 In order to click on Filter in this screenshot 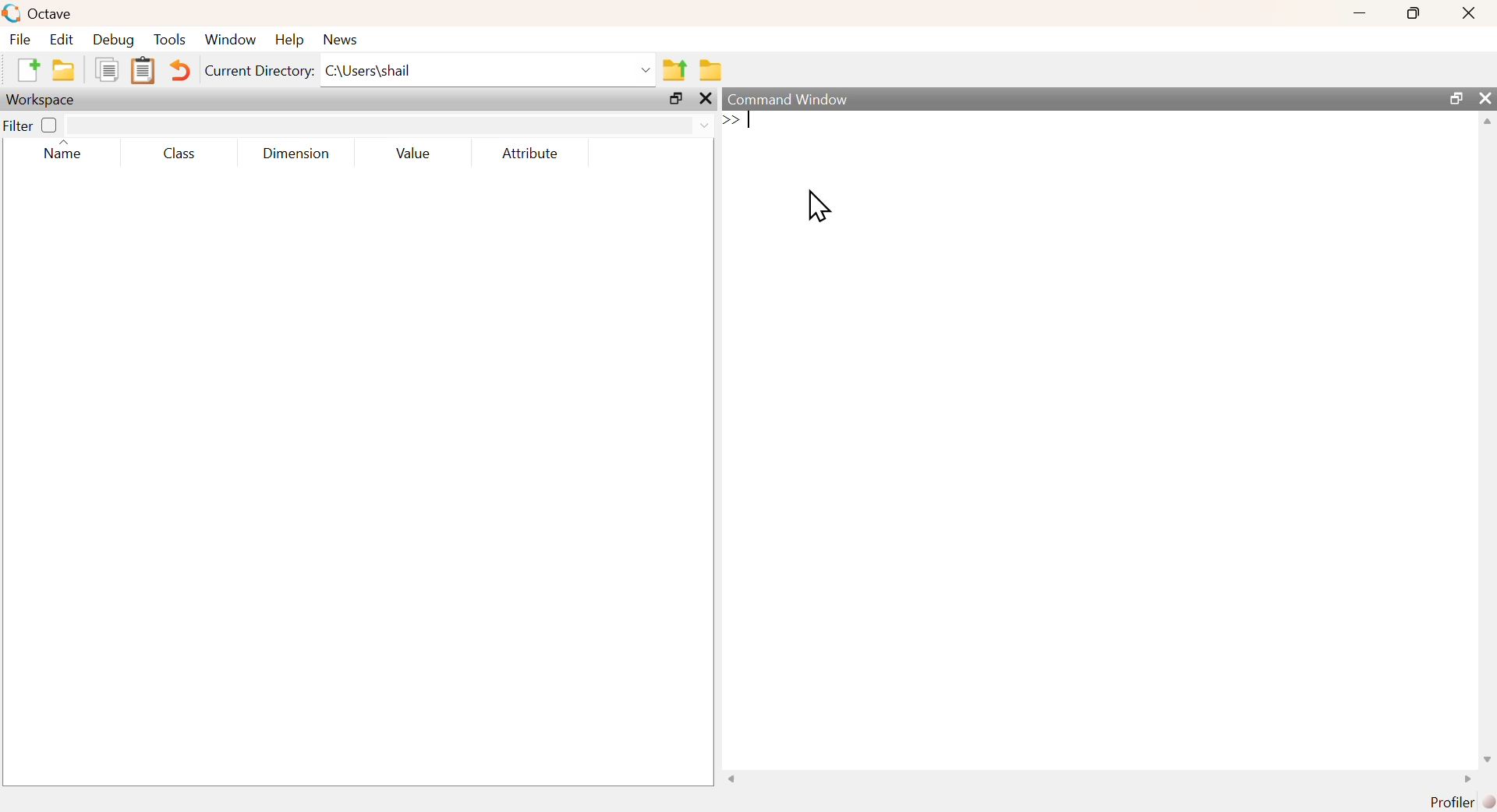, I will do `click(34, 125)`.